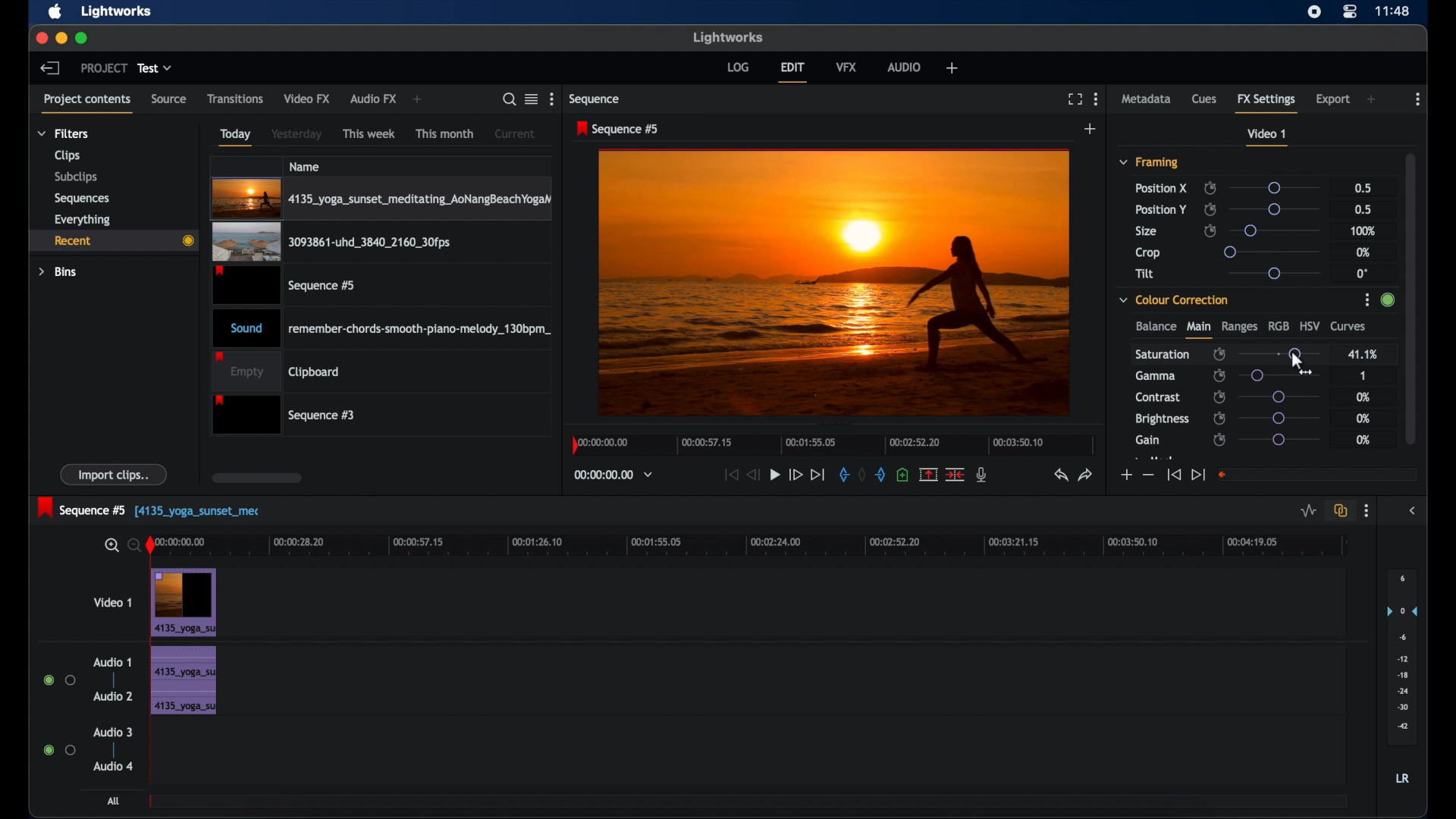 This screenshot has height=819, width=1456. I want to click on Mouse Cursor, so click(1297, 357).